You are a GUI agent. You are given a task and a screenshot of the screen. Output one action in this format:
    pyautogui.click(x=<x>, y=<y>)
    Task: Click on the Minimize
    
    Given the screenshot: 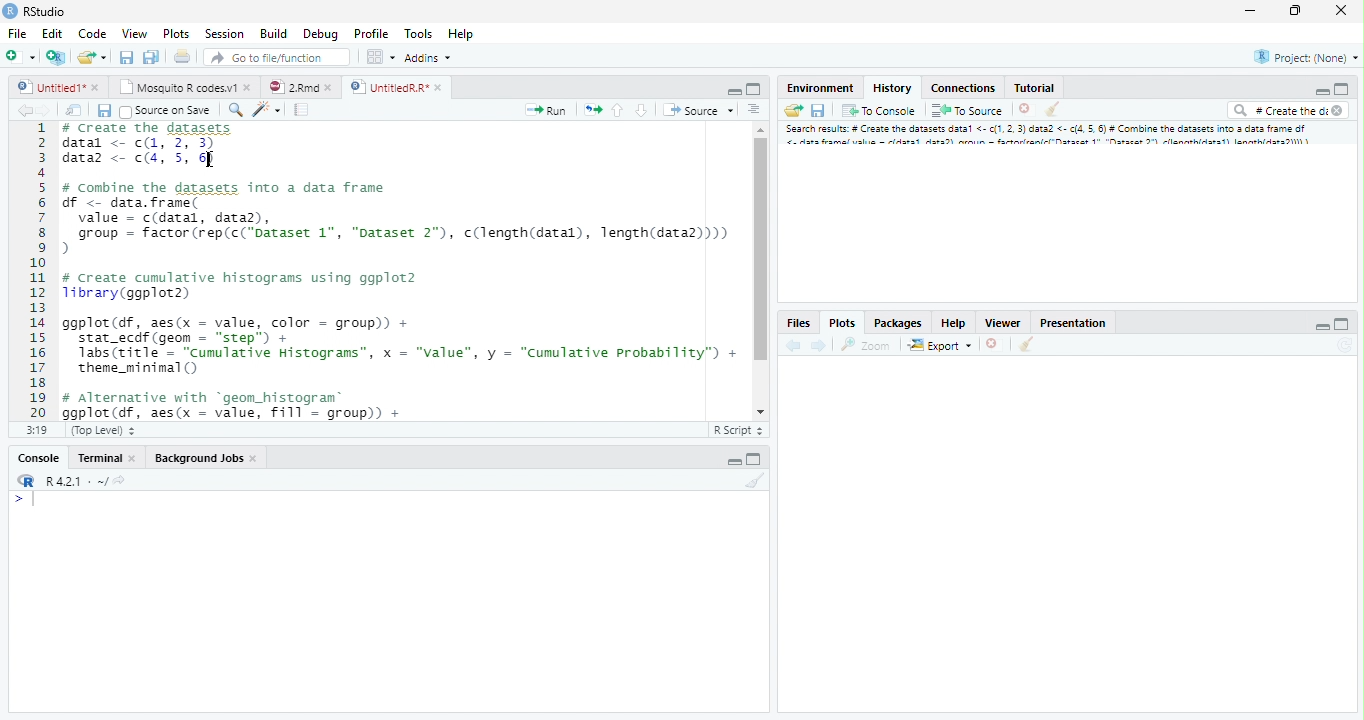 What is the action you would take?
    pyautogui.click(x=1321, y=92)
    